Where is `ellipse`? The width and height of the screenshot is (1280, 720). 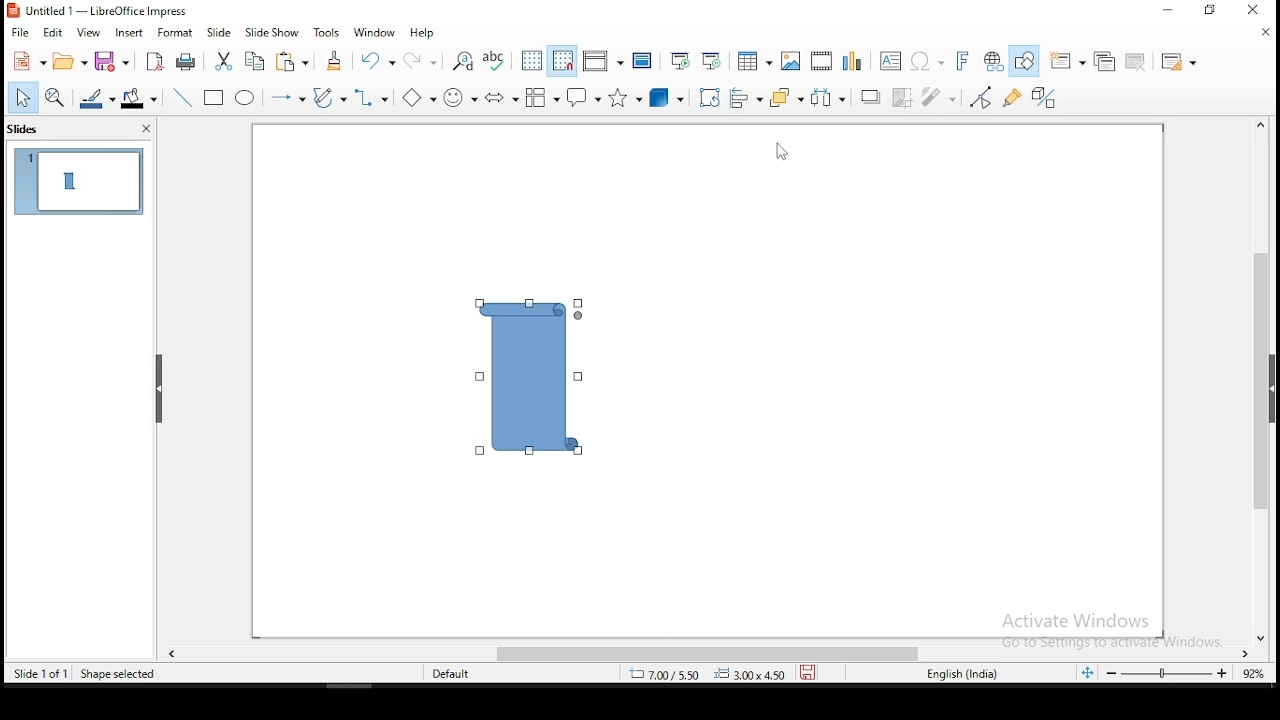 ellipse is located at coordinates (247, 99).